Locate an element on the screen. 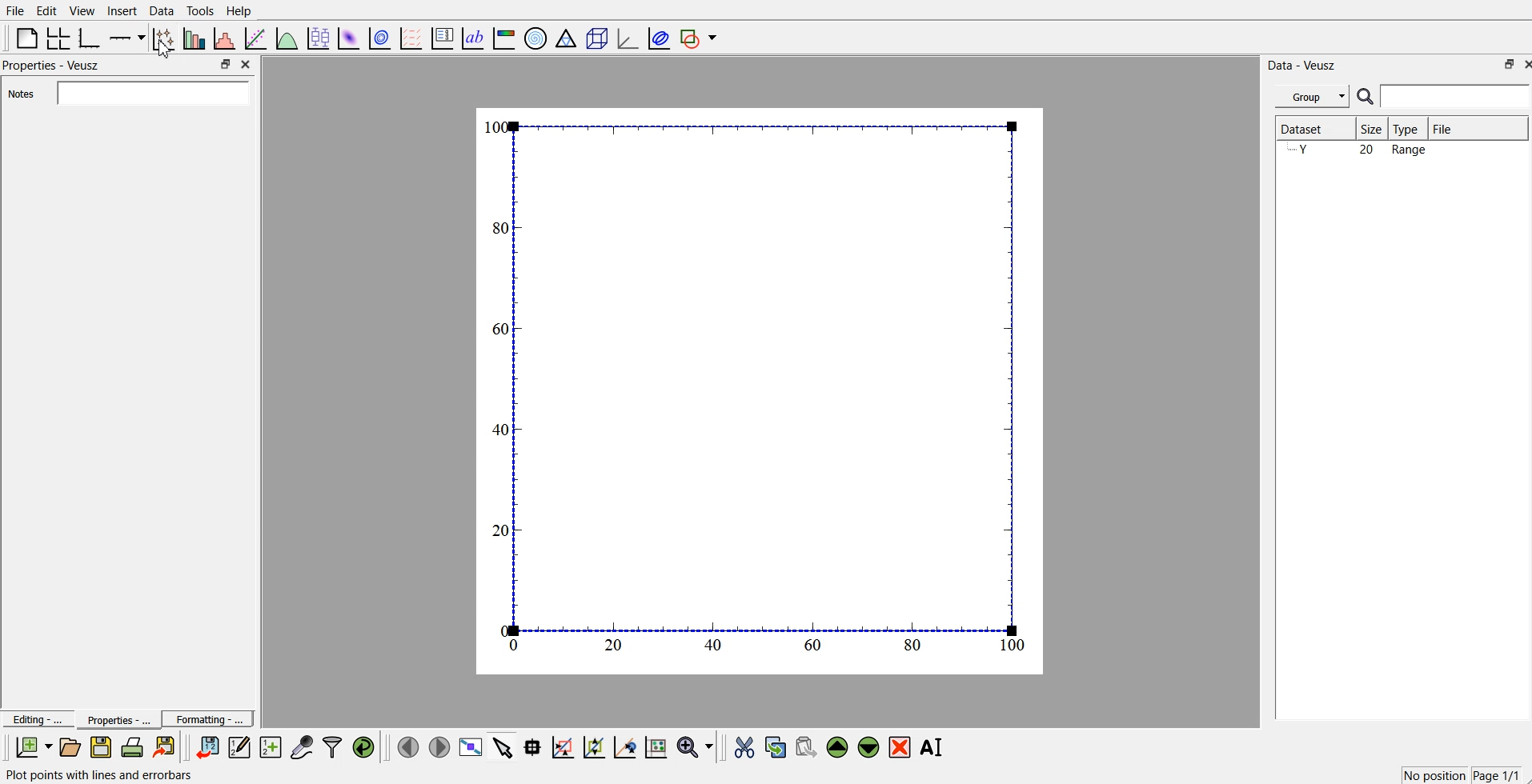 This screenshot has height=784, width=1532. Data is located at coordinates (162, 10).